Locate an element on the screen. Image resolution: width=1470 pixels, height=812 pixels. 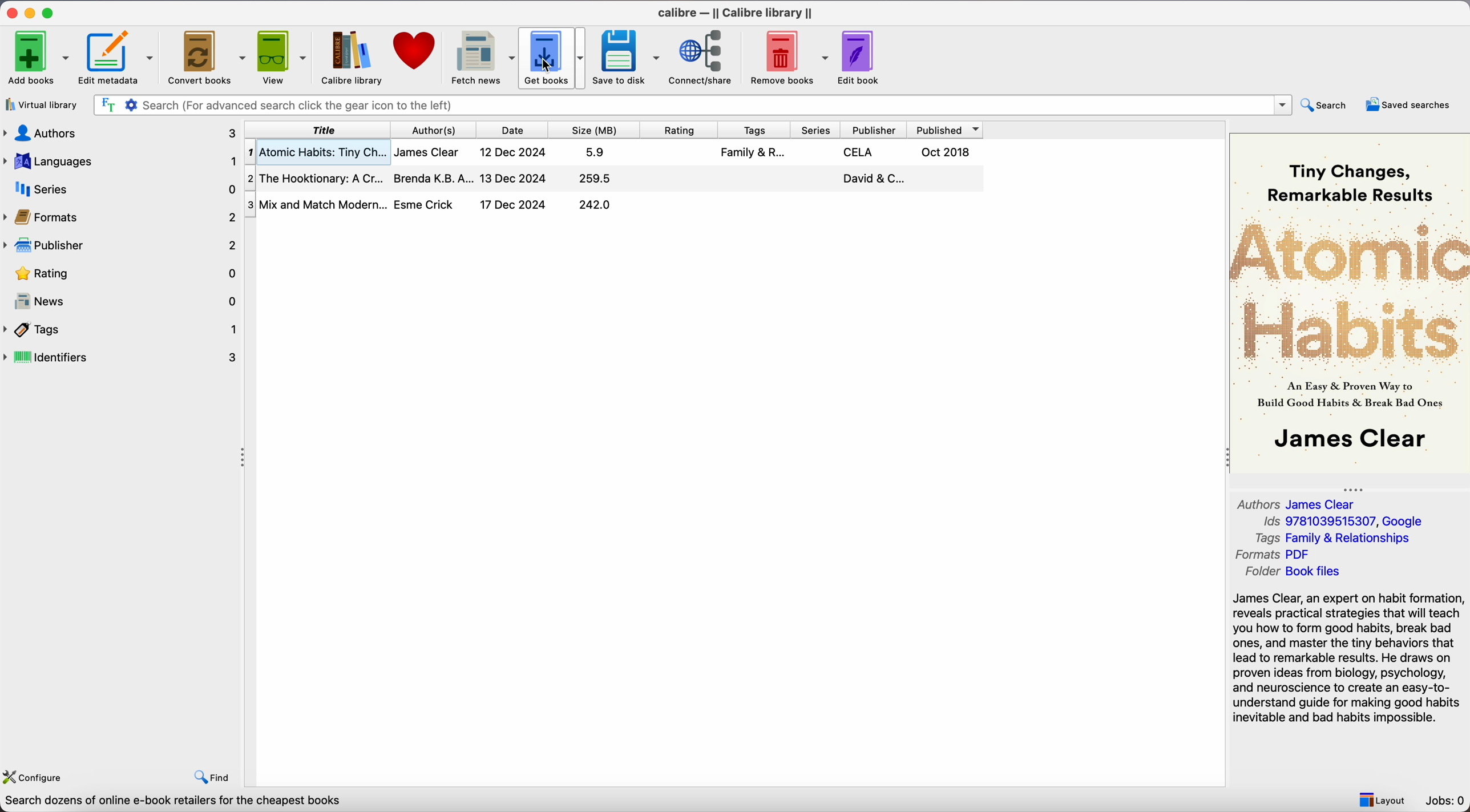
donate is located at coordinates (413, 53).